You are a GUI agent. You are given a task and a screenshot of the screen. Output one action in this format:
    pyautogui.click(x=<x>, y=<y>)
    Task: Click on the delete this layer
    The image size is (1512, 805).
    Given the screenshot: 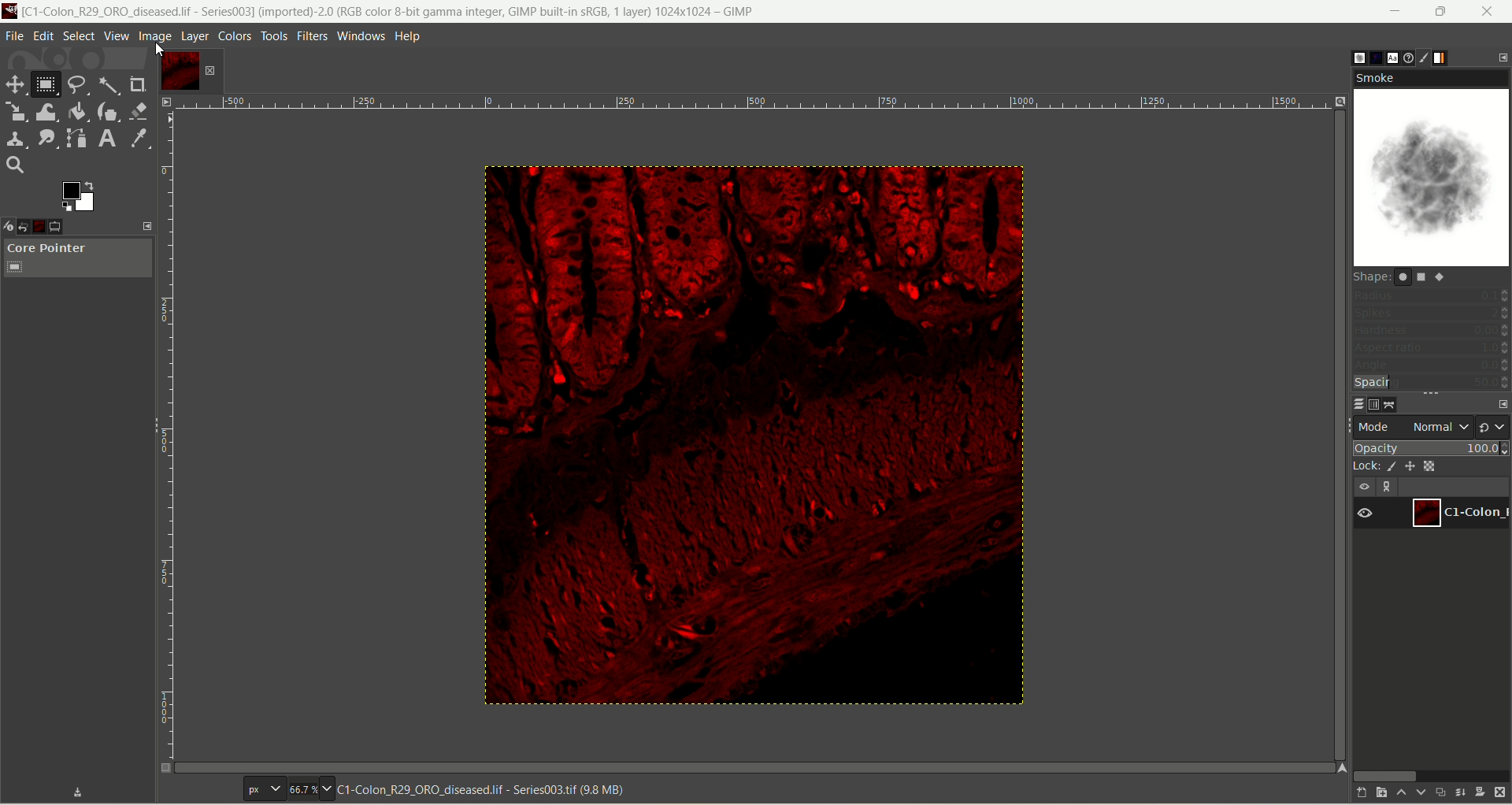 What is the action you would take?
    pyautogui.click(x=1499, y=793)
    